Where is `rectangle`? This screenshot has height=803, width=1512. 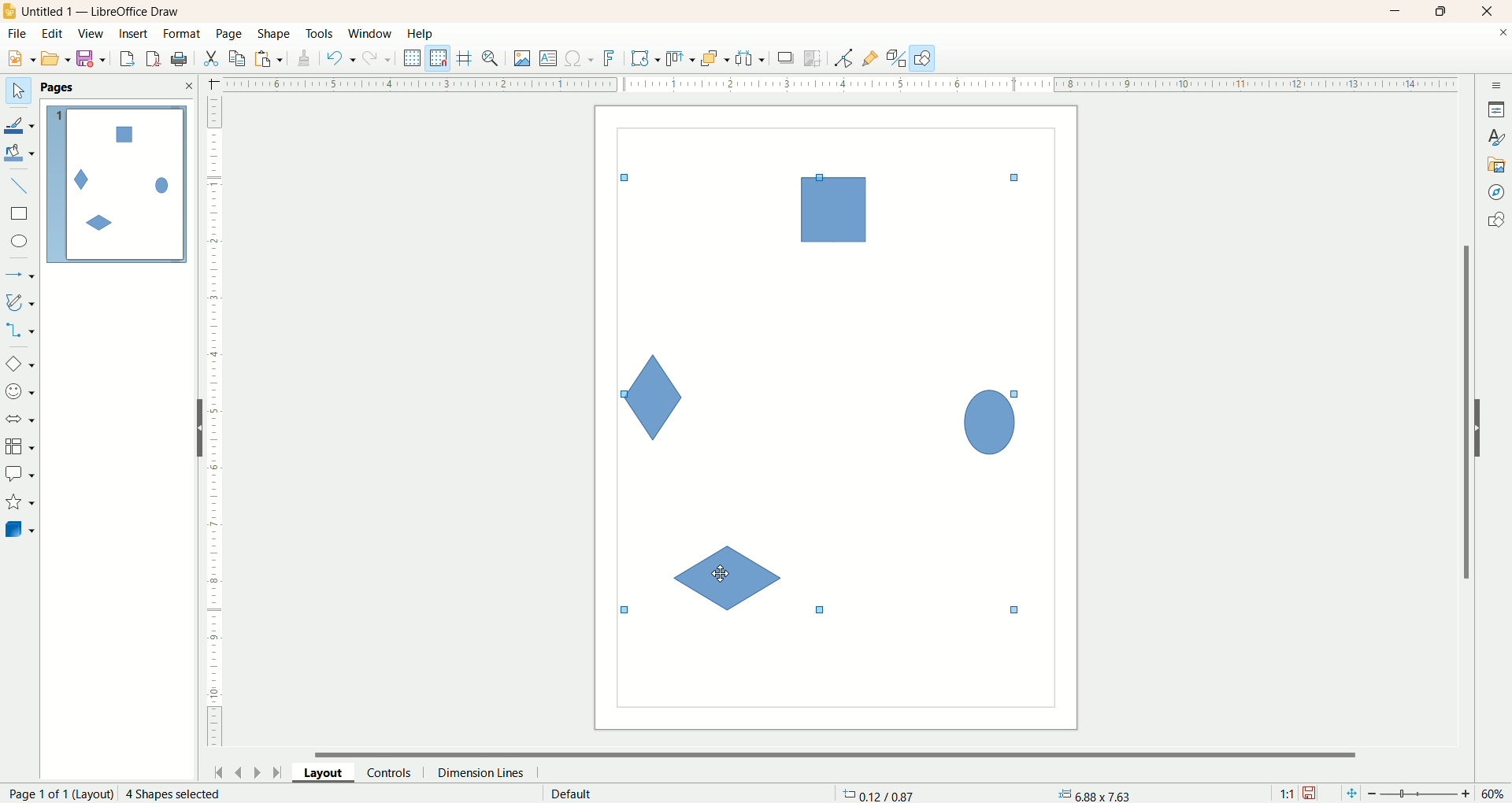
rectangle is located at coordinates (21, 214).